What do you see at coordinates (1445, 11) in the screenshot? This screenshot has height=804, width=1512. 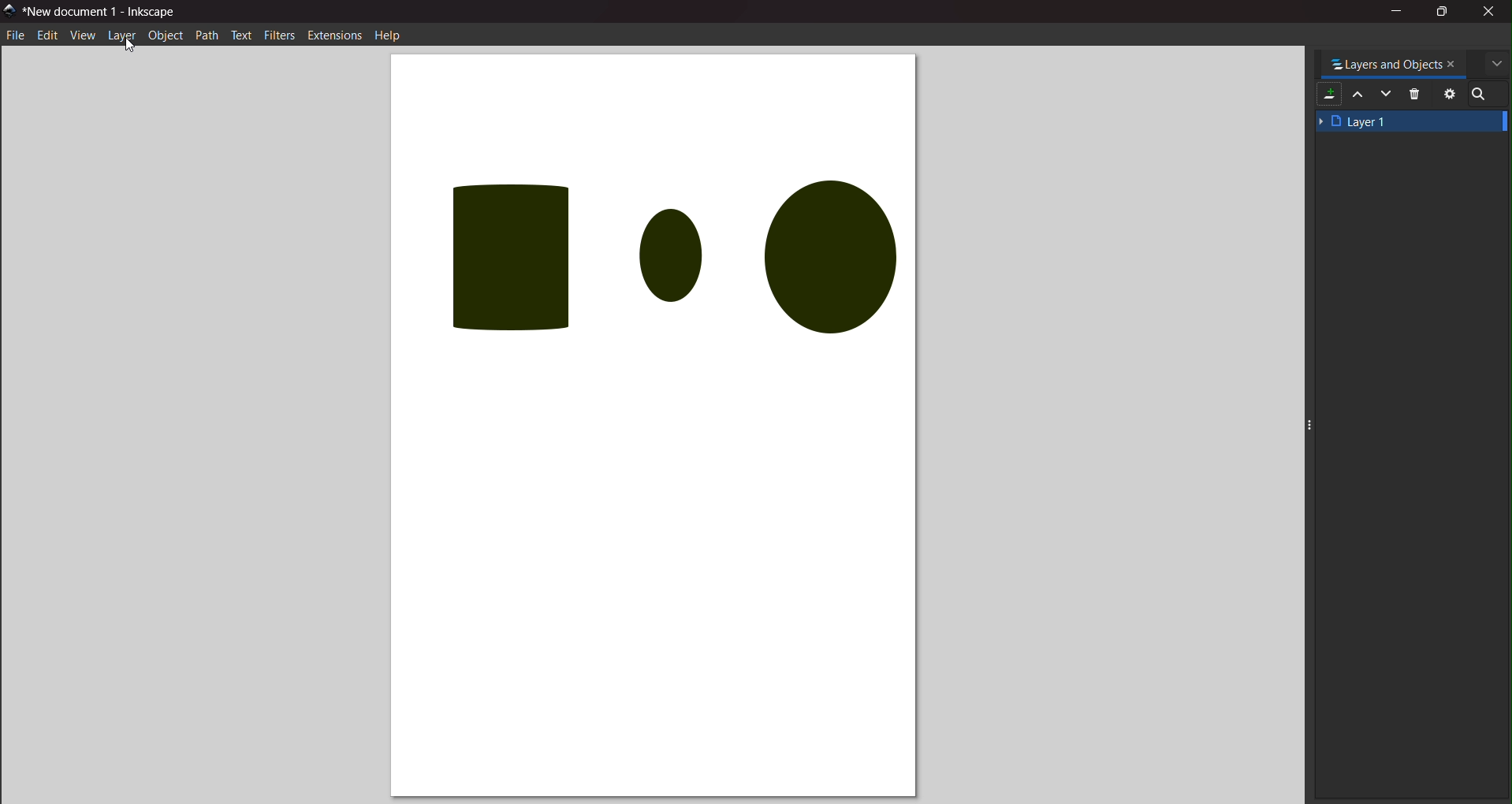 I see `maximize` at bounding box center [1445, 11].